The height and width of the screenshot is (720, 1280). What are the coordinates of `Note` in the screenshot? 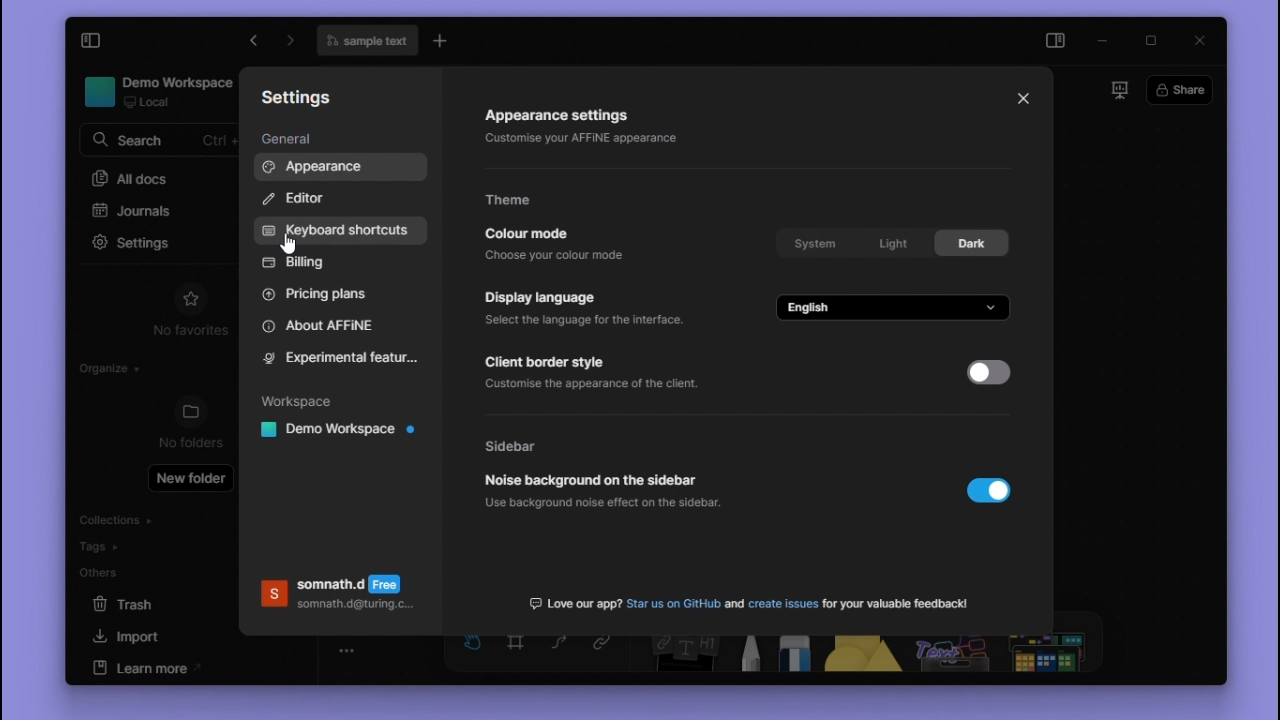 It's located at (677, 656).